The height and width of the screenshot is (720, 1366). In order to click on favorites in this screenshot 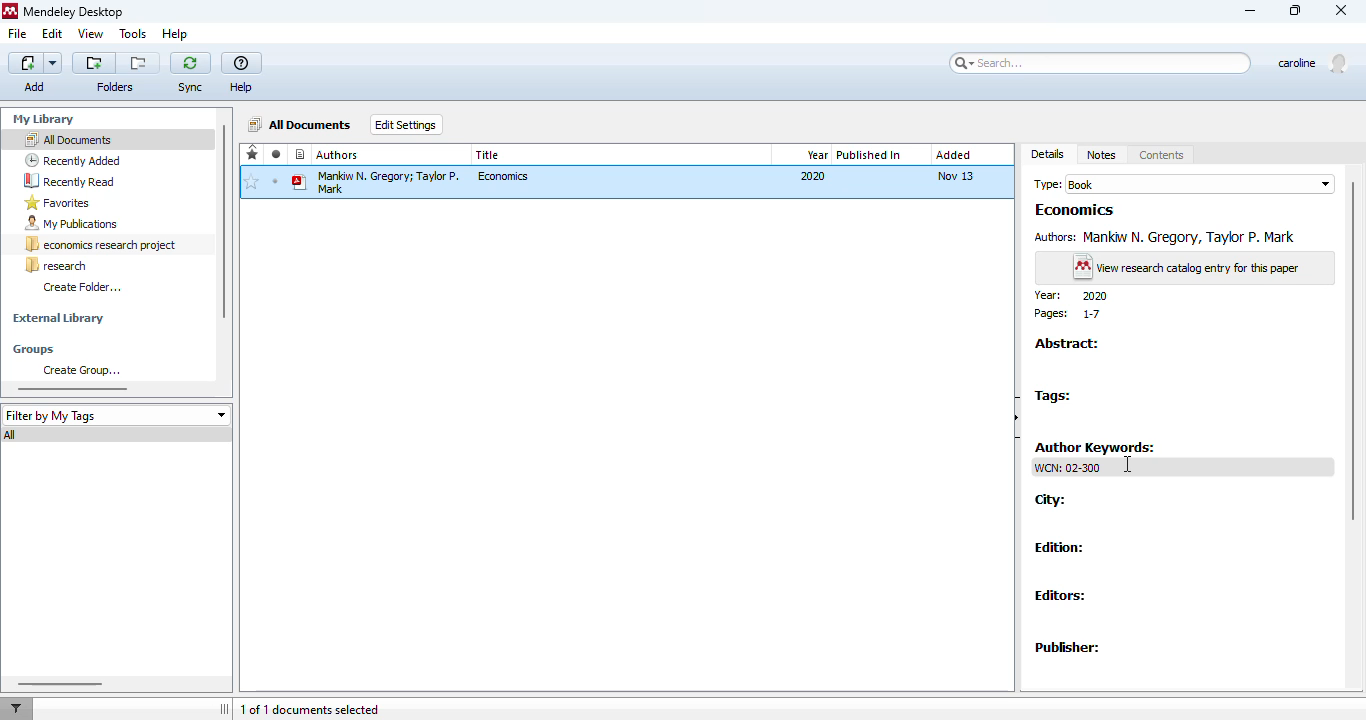, I will do `click(252, 152)`.